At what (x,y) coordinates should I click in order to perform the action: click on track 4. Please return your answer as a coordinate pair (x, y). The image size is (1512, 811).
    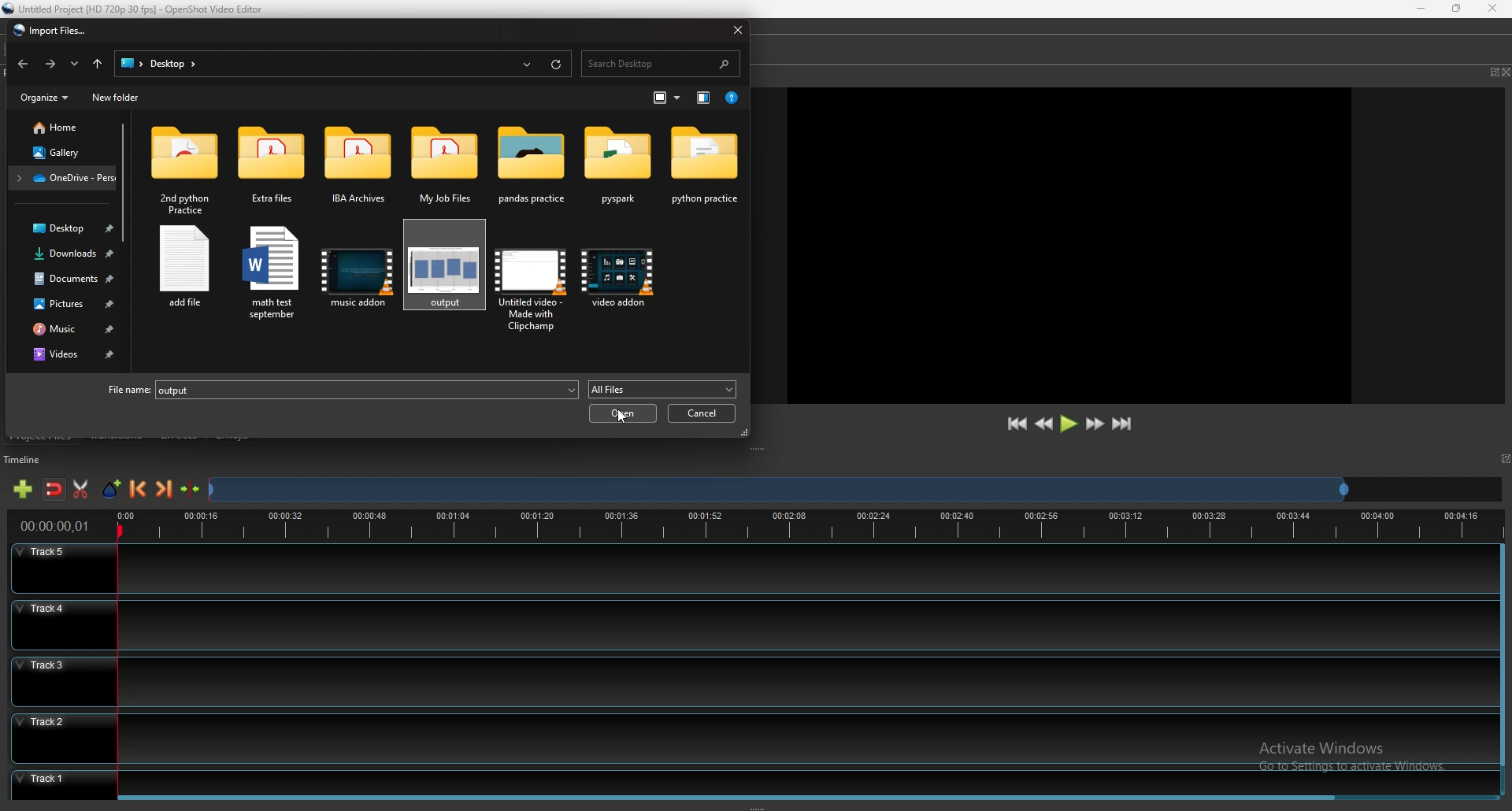
    Looking at the image, I should click on (749, 624).